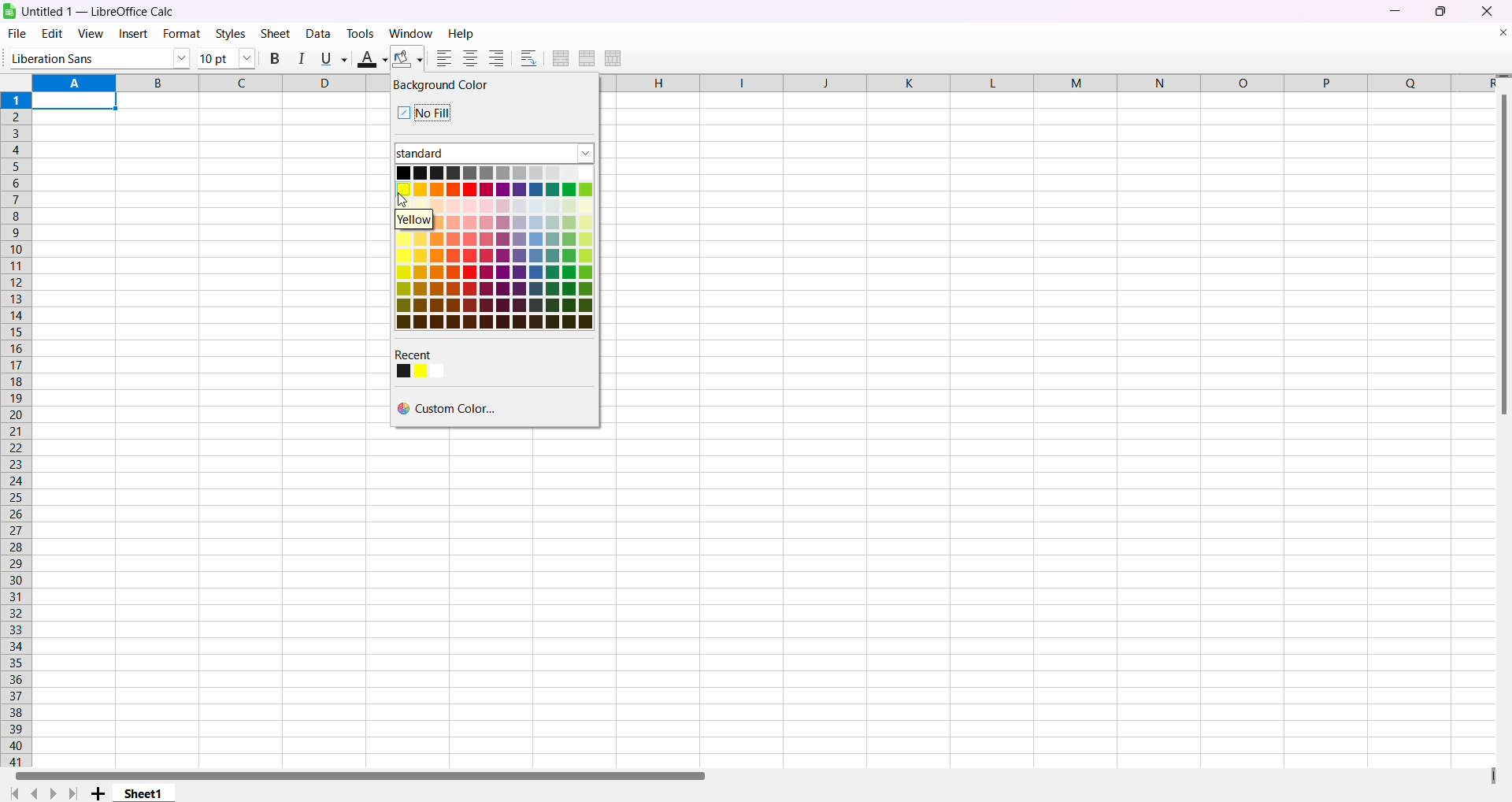 The height and width of the screenshot is (802, 1512). I want to click on columns, so click(192, 82).